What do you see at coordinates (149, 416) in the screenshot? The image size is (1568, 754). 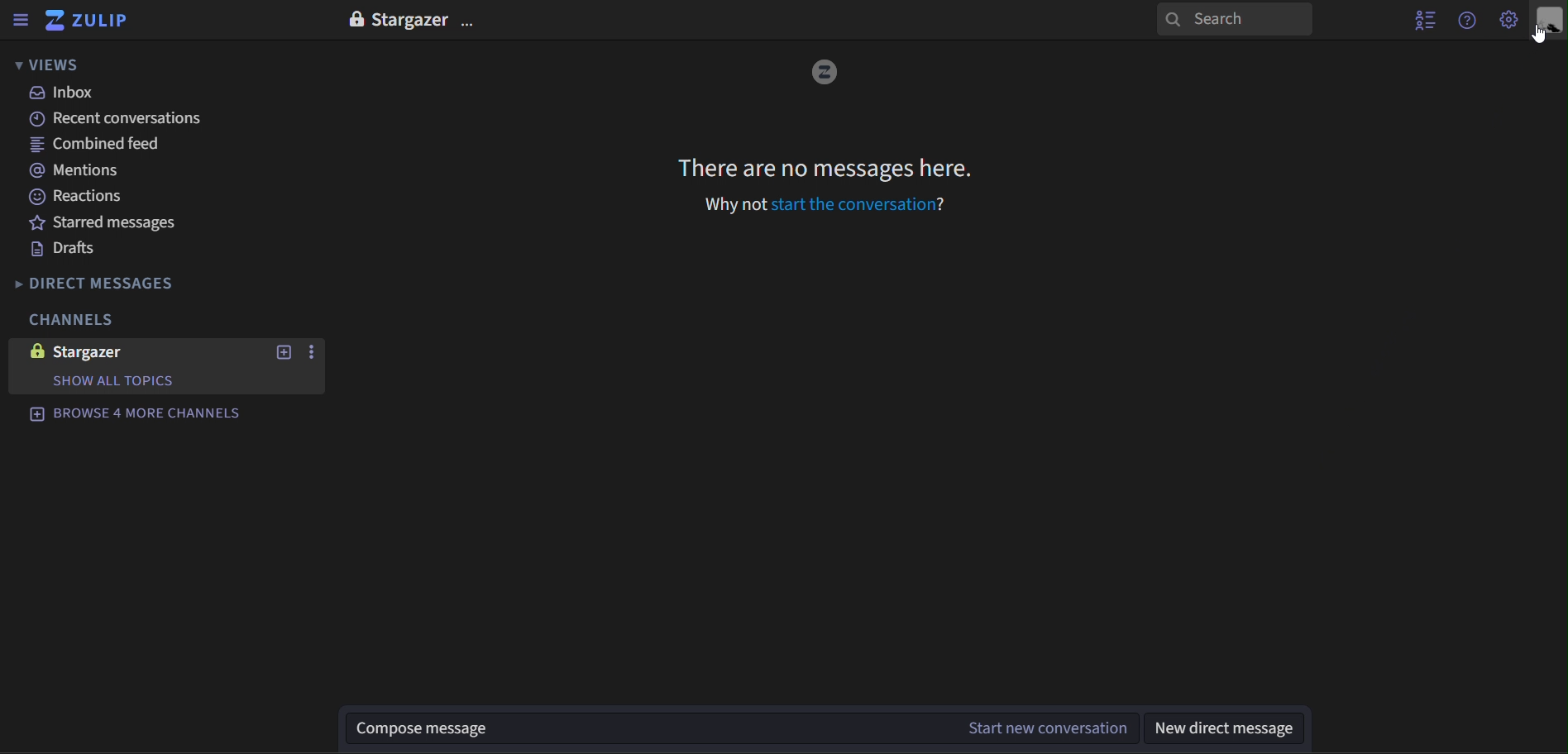 I see `browse 4 more channels` at bounding box center [149, 416].